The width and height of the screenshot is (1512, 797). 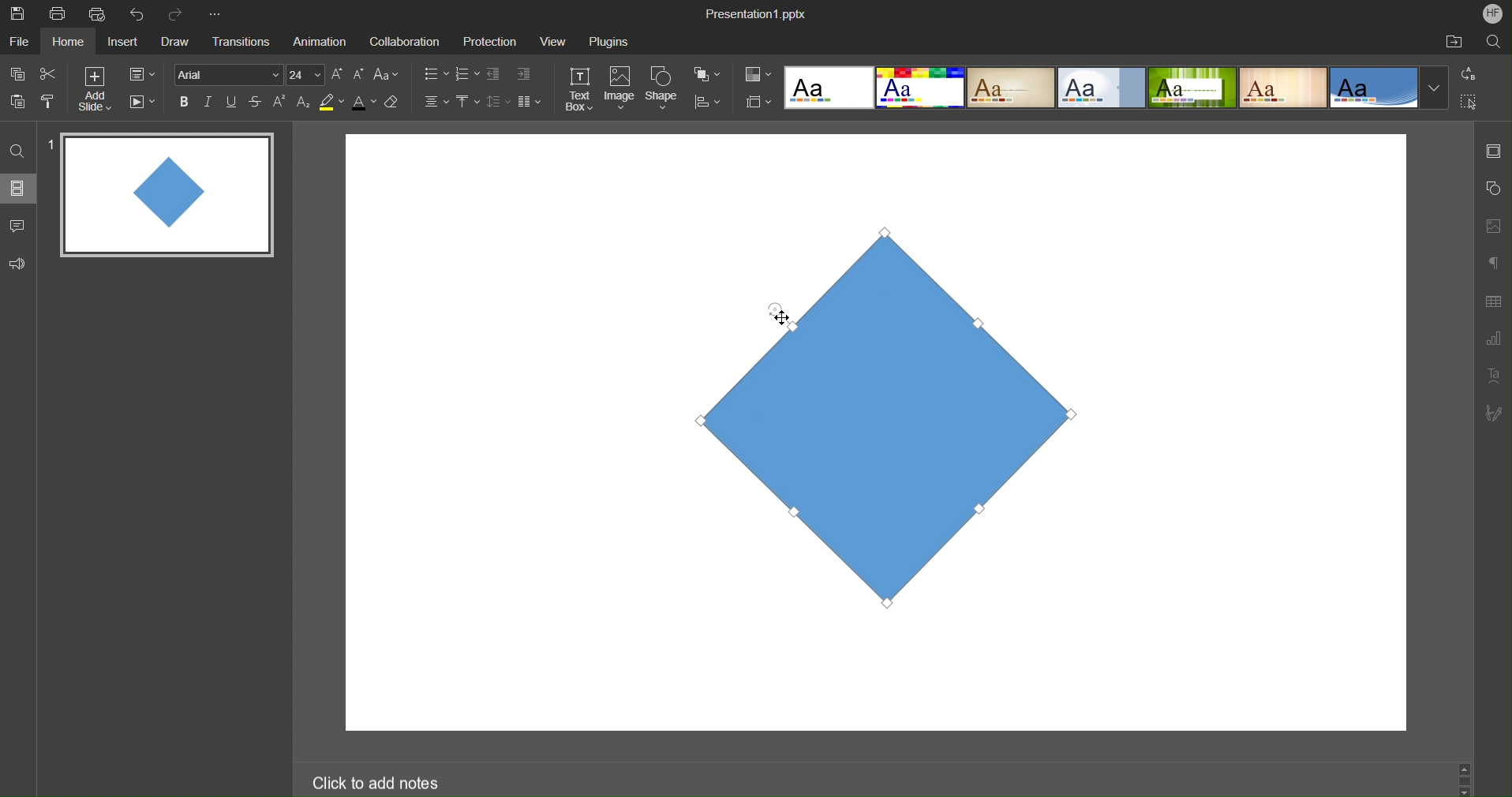 I want to click on Image Settings, so click(x=1492, y=226).